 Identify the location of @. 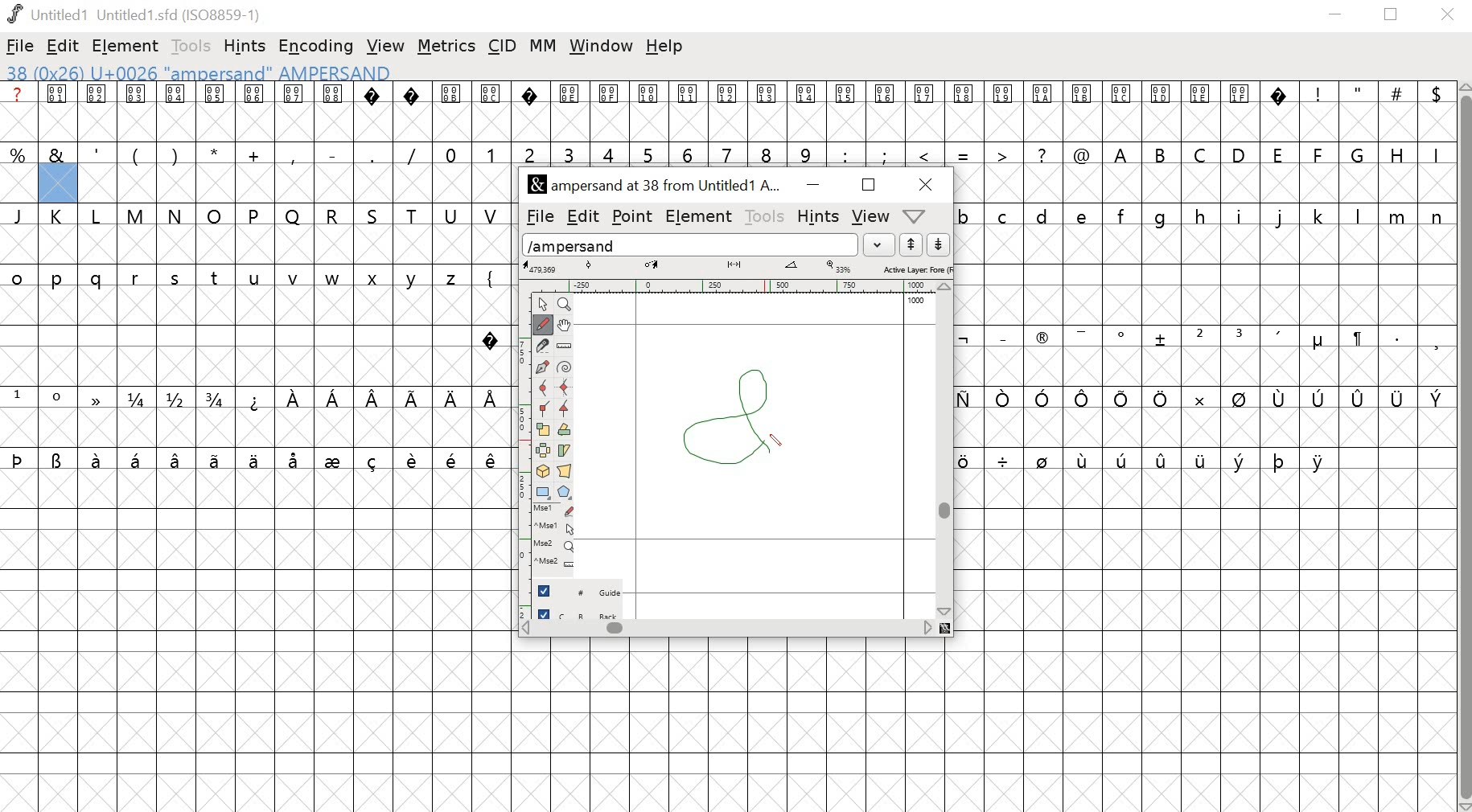
(1082, 153).